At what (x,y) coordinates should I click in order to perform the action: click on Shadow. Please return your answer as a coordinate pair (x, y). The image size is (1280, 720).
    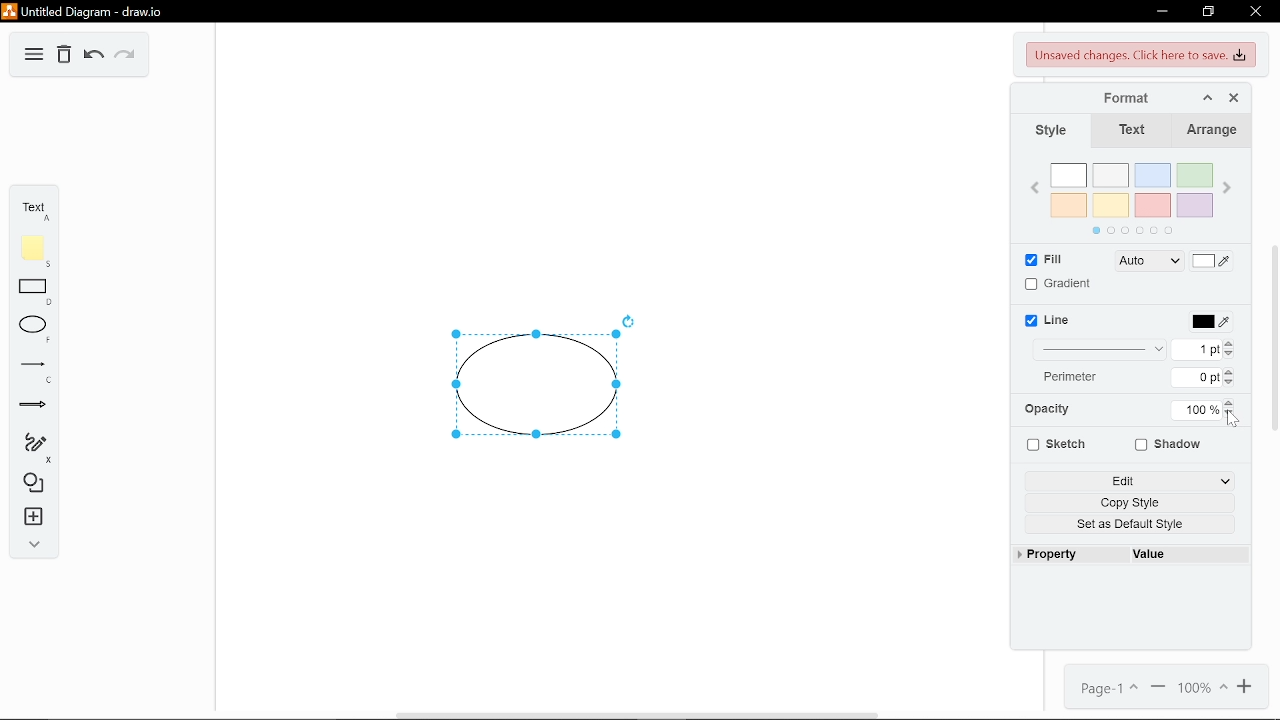
    Looking at the image, I should click on (1176, 445).